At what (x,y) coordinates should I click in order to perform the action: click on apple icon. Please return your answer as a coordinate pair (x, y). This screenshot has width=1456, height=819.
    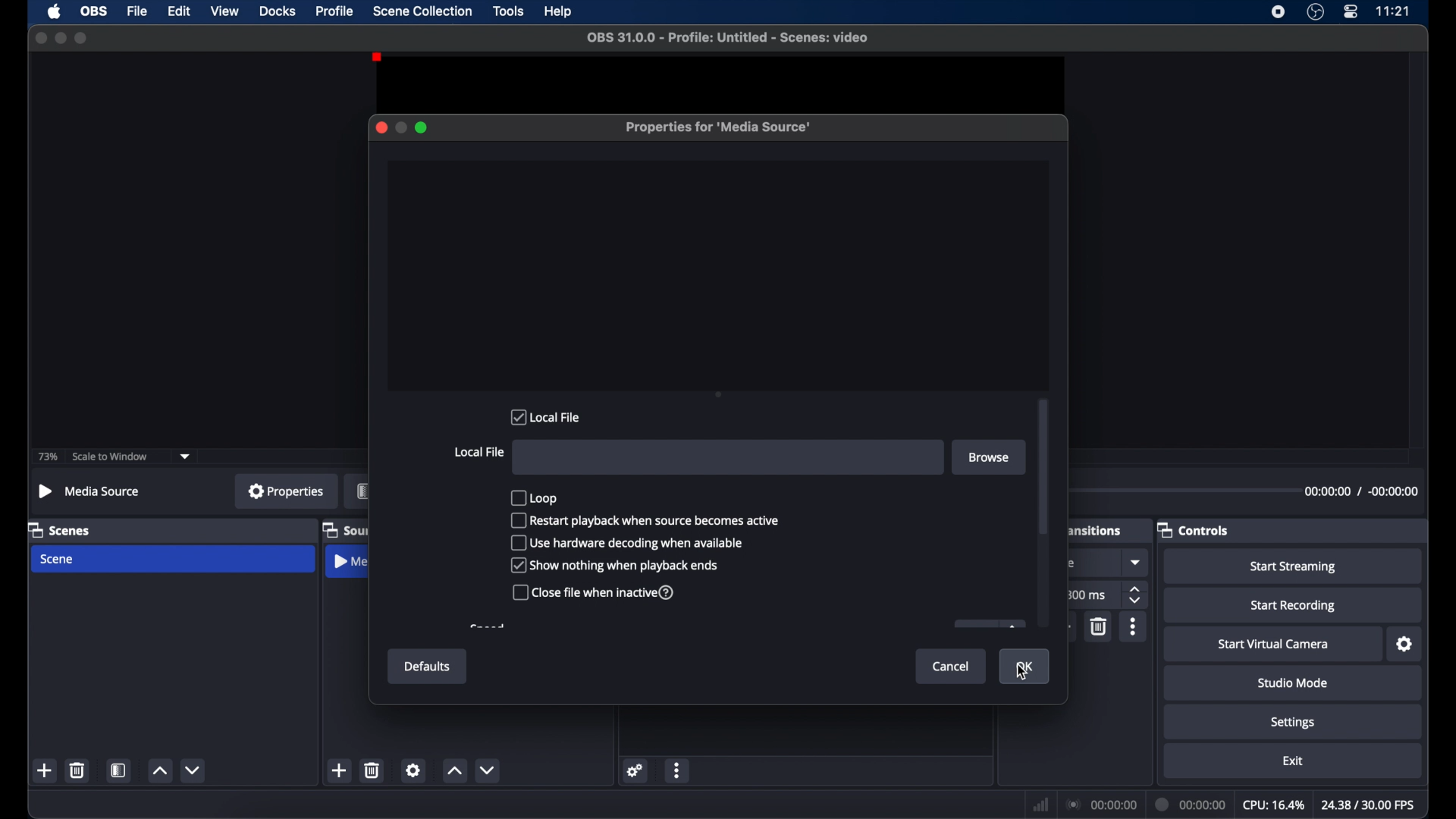
    Looking at the image, I should click on (54, 11).